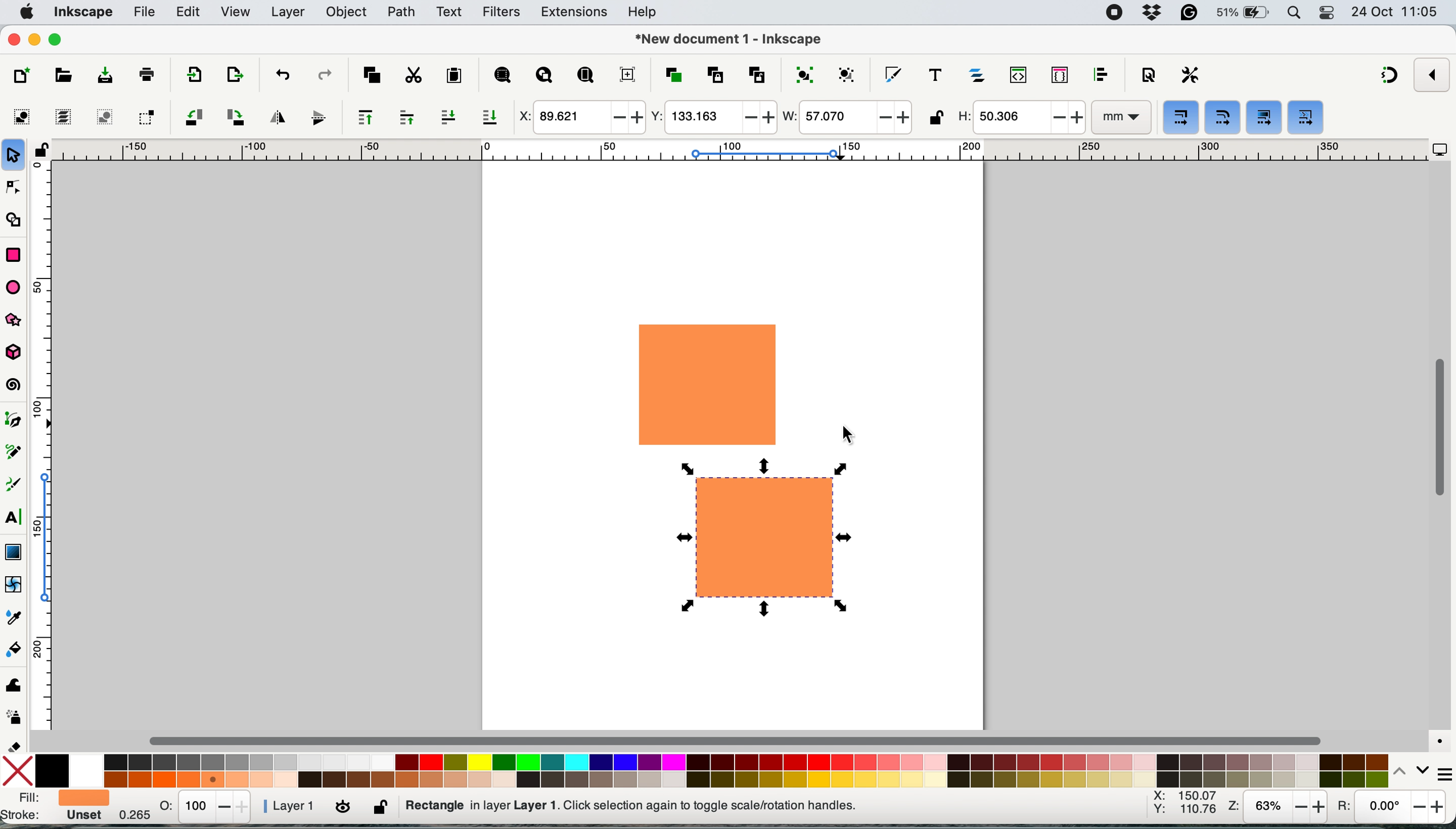  Describe the element at coordinates (372, 73) in the screenshot. I see `copy` at that location.